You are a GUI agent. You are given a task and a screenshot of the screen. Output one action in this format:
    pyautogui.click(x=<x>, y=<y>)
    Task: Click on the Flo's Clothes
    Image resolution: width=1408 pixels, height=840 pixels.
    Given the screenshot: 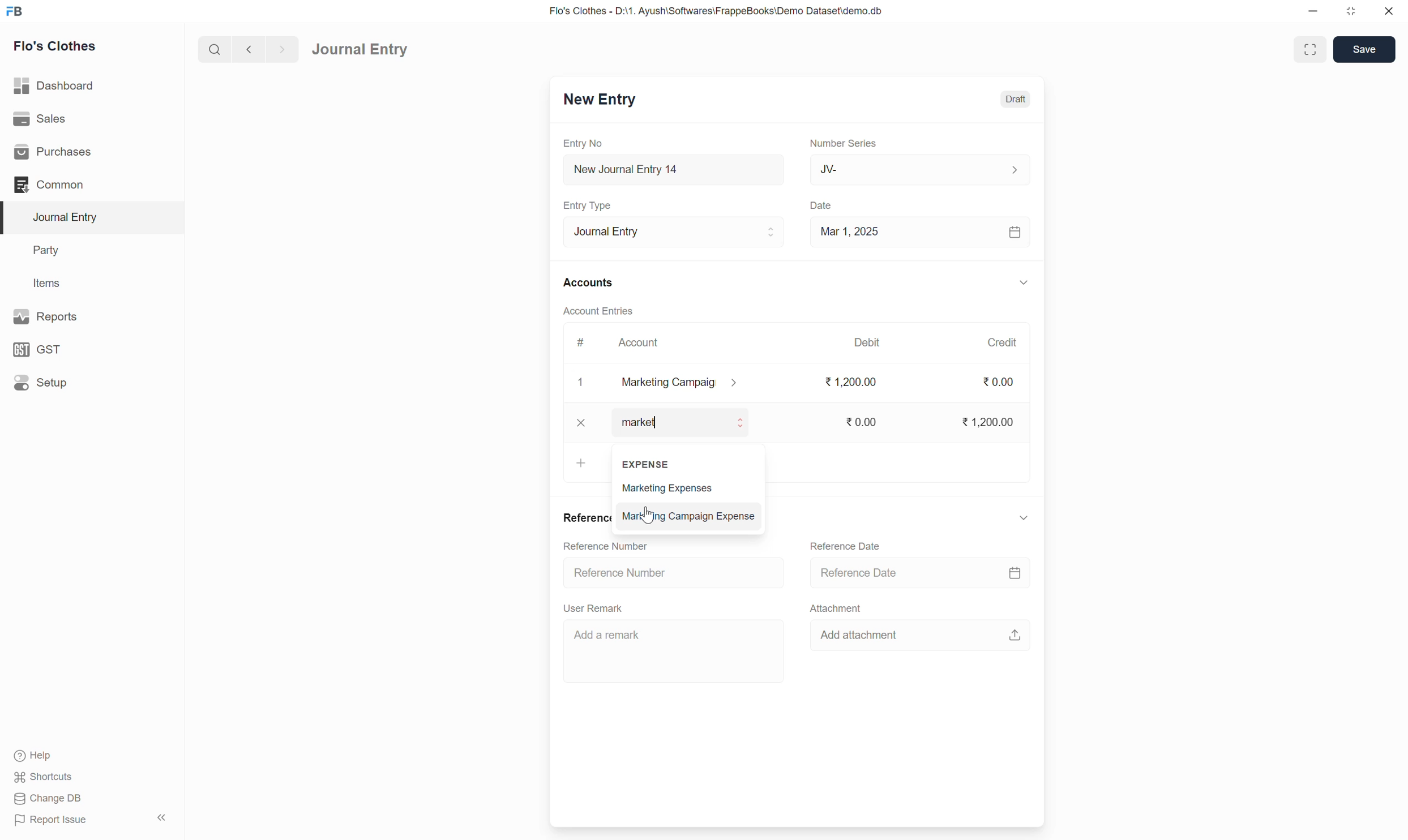 What is the action you would take?
    pyautogui.click(x=57, y=46)
    